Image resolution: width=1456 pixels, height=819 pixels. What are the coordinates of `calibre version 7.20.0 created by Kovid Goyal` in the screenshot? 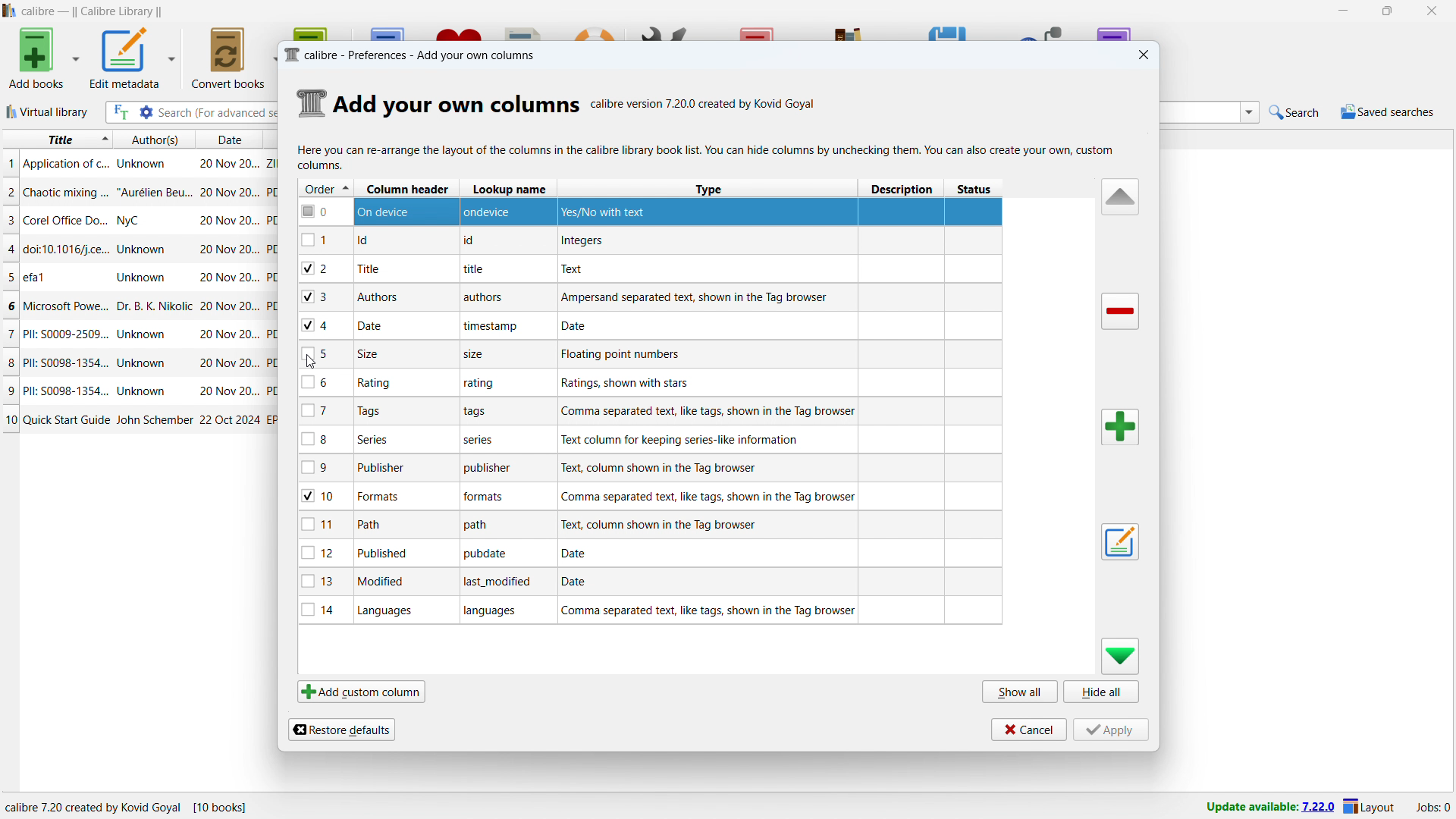 It's located at (704, 102).